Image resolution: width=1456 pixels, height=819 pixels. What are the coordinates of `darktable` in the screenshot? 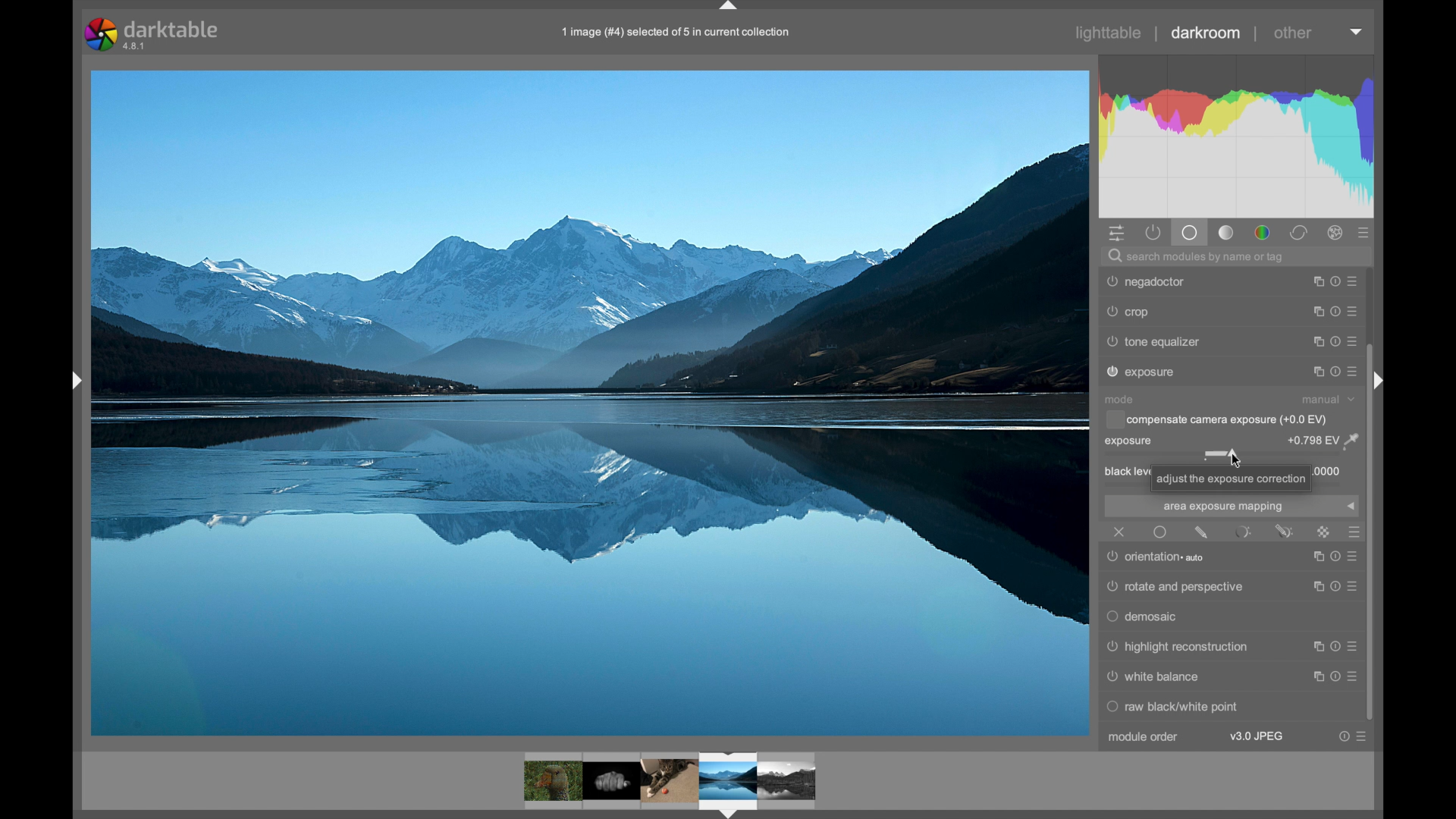 It's located at (156, 33).